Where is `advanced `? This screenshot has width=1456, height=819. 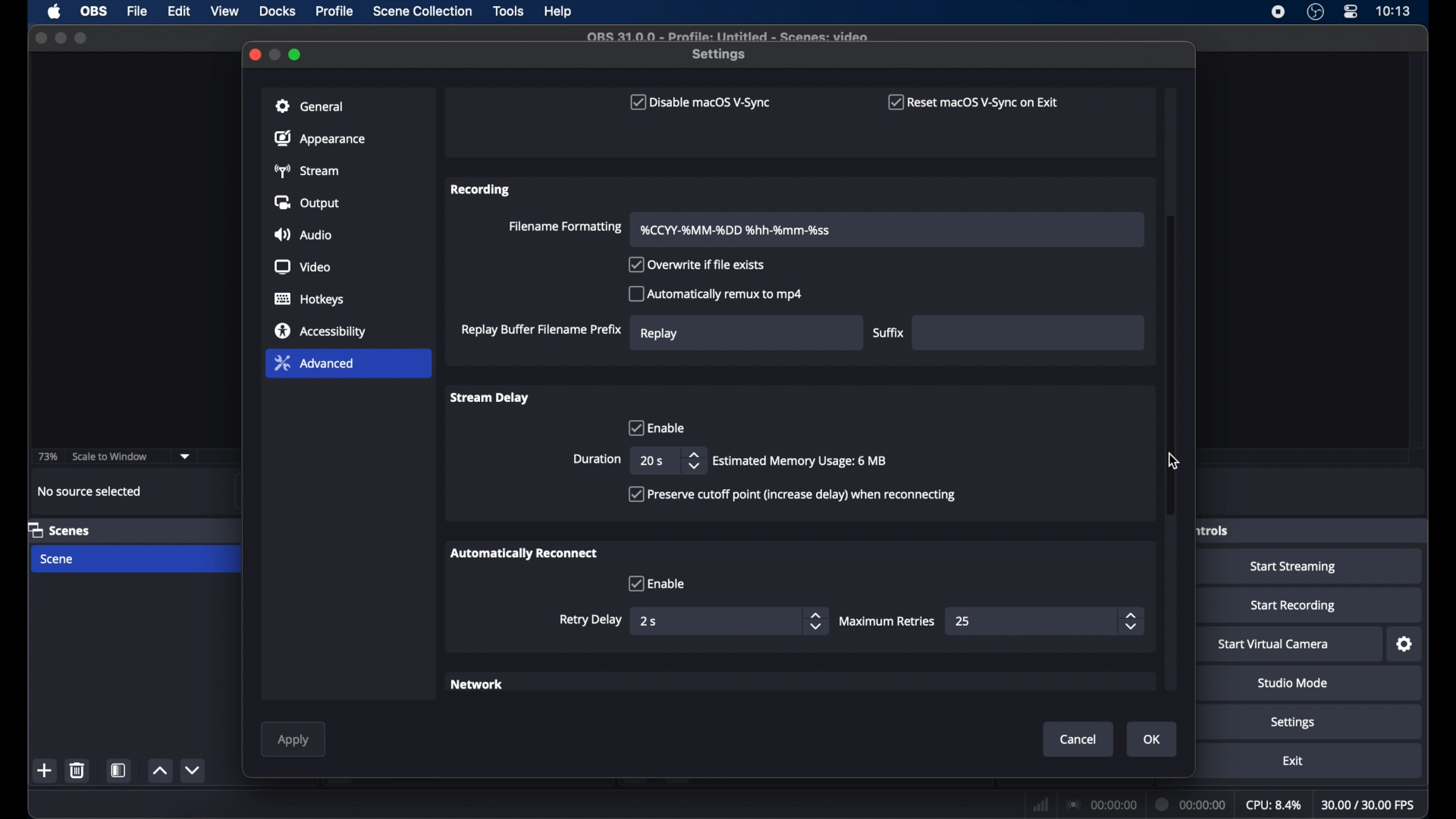 advanced  is located at coordinates (314, 362).